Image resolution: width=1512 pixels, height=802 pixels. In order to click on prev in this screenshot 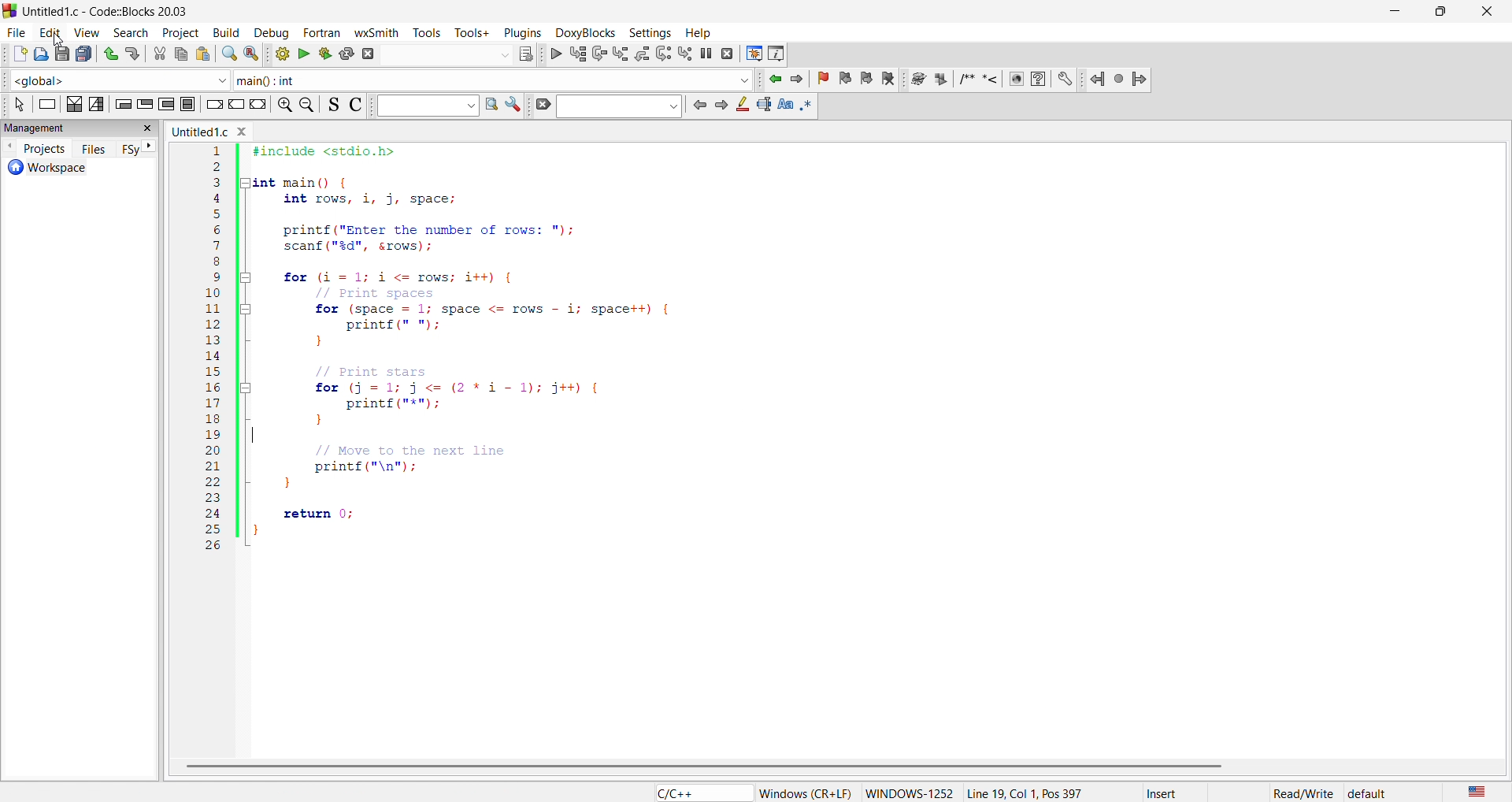, I will do `click(699, 105)`.